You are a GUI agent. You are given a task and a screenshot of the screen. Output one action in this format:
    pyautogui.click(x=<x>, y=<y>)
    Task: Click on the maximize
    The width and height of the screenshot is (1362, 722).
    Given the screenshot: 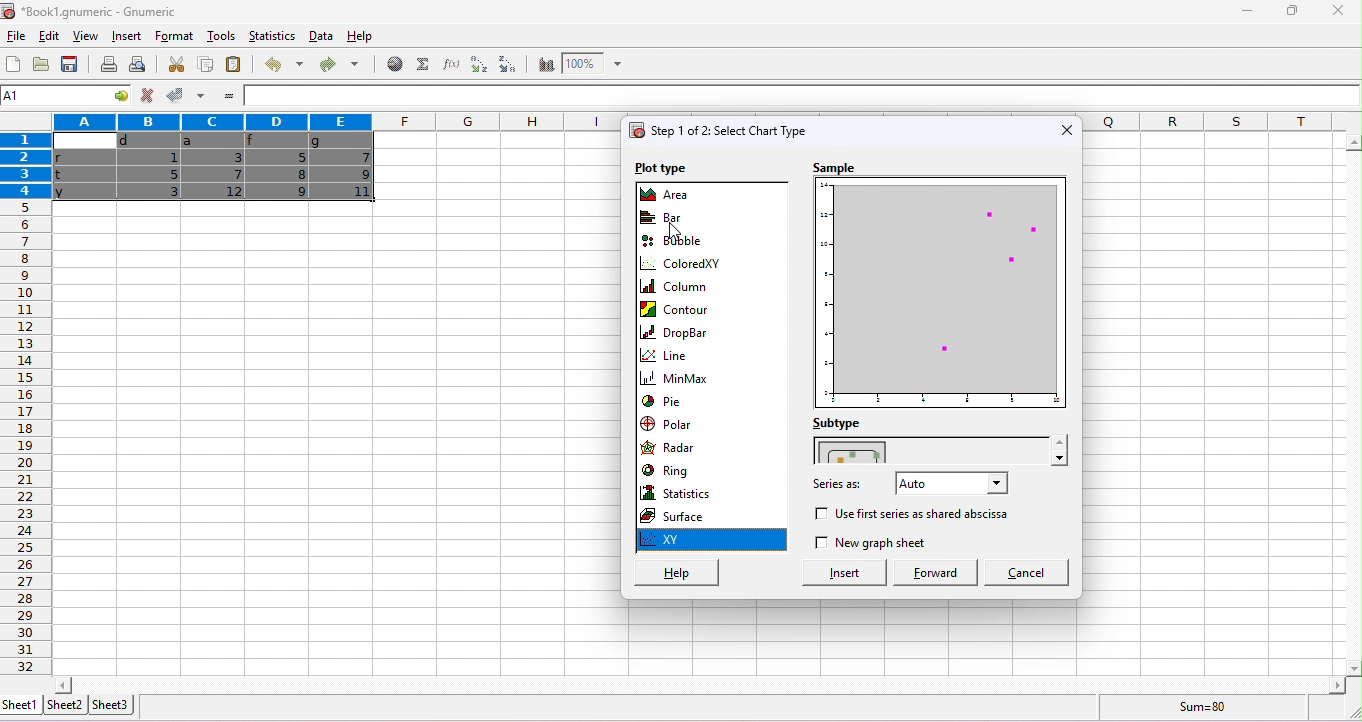 What is the action you would take?
    pyautogui.click(x=1293, y=13)
    